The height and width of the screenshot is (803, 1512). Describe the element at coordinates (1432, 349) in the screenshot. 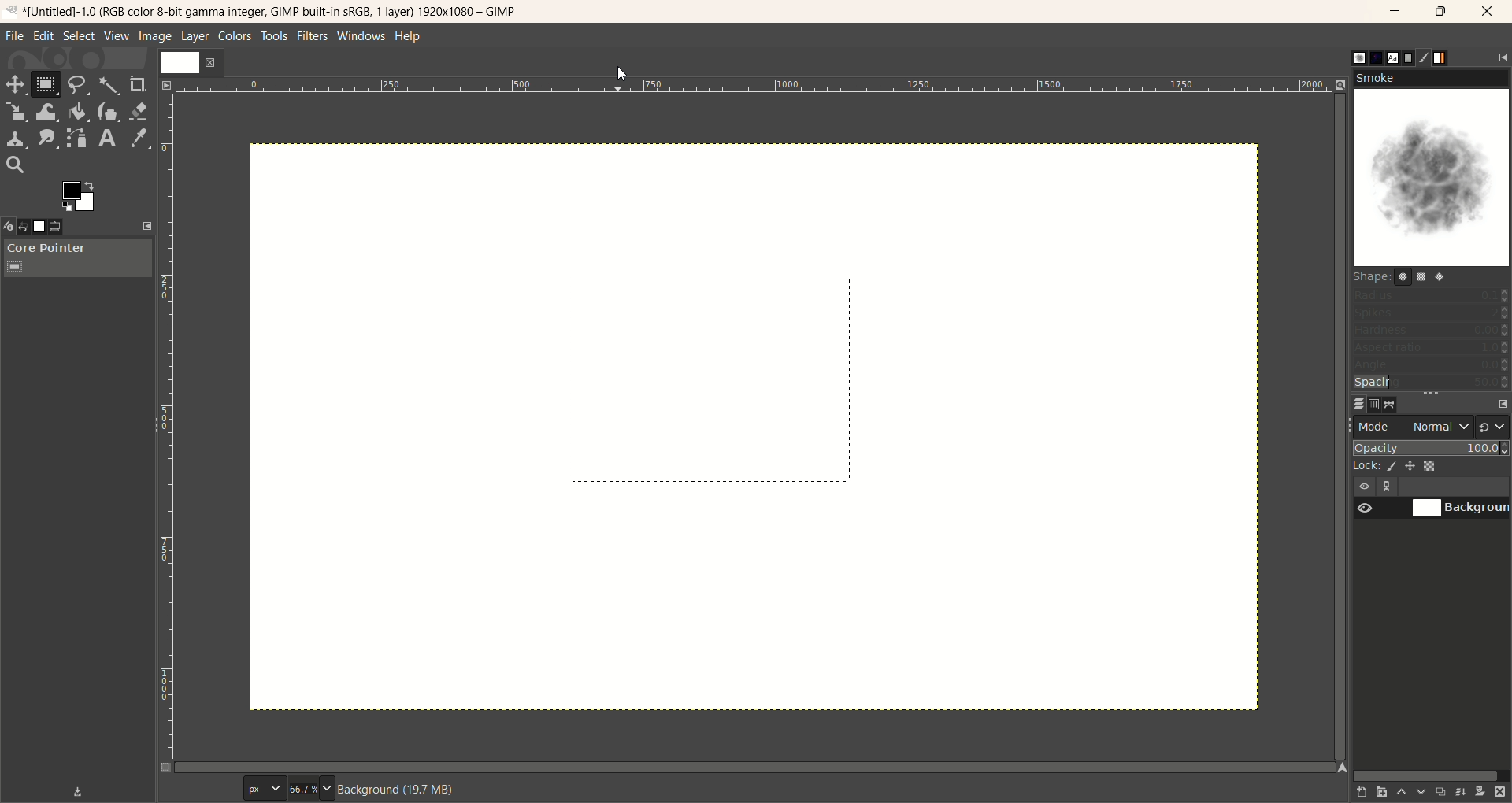

I see `aspect ratio` at that location.